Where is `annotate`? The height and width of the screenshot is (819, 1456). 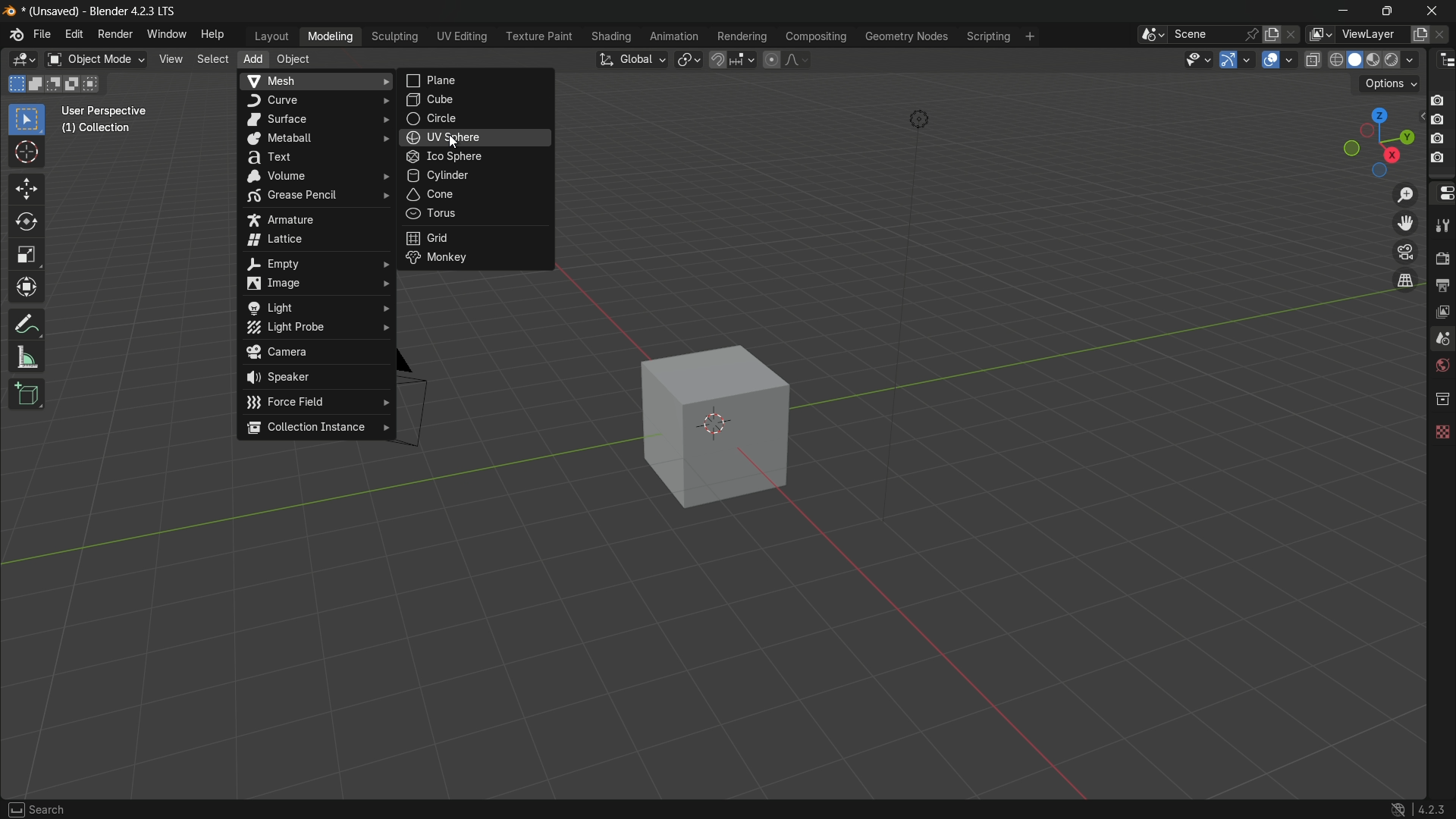
annotate is located at coordinates (27, 322).